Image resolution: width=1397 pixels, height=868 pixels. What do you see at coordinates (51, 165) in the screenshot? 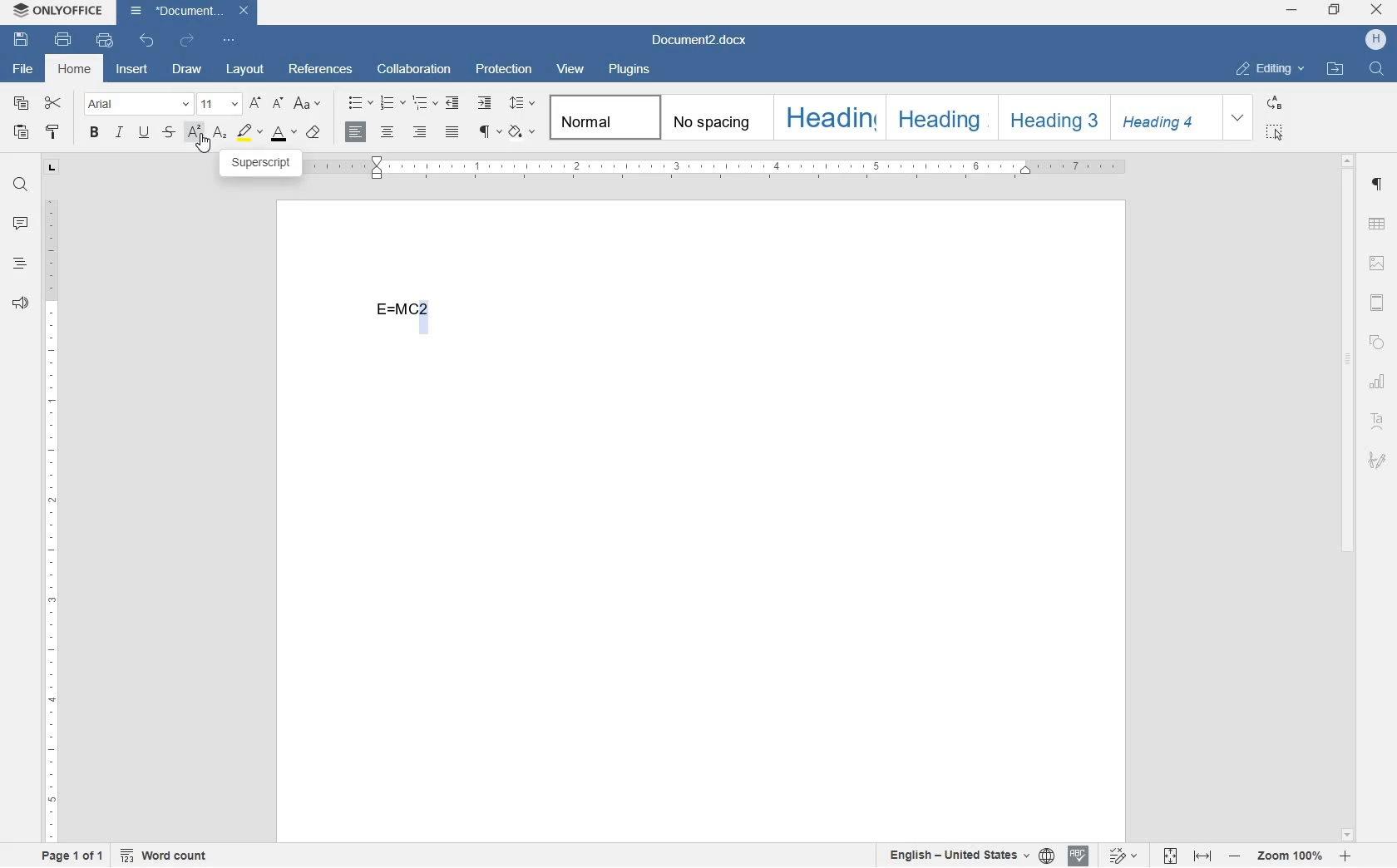
I see `tab` at bounding box center [51, 165].